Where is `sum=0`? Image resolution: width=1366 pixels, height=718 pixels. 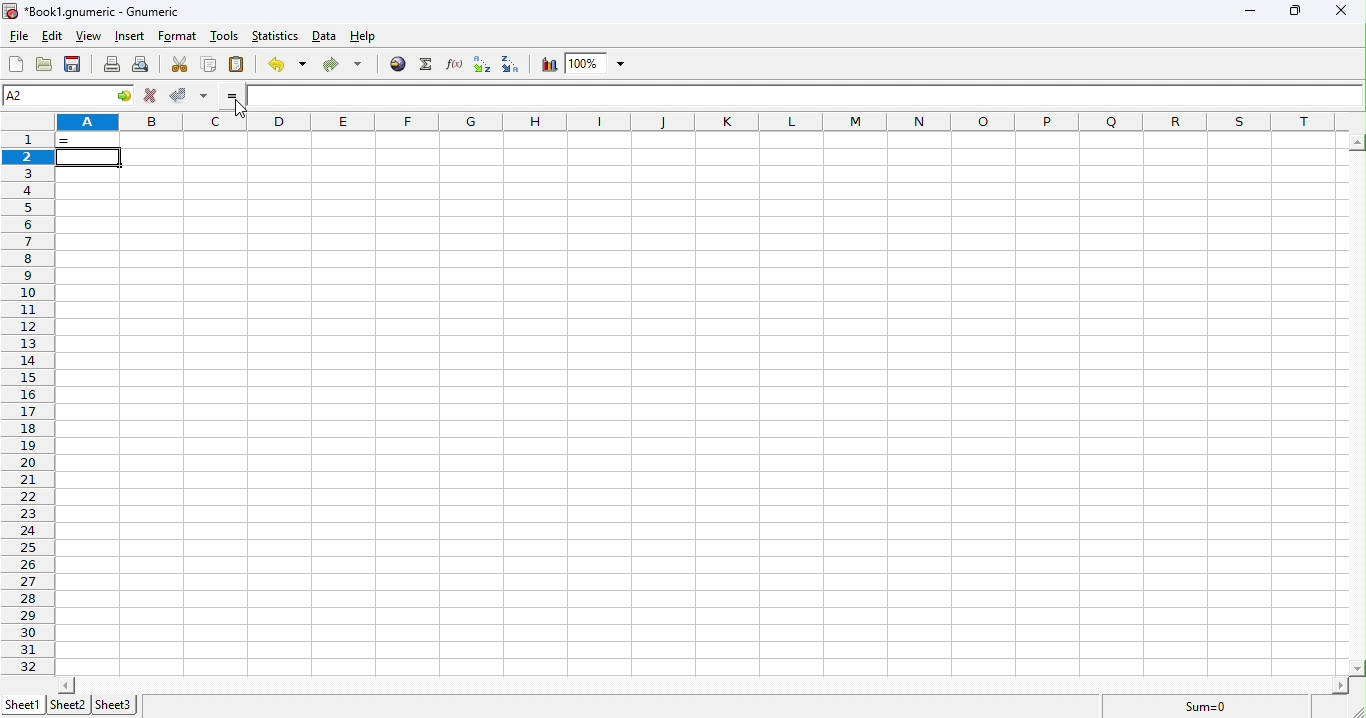 sum=0 is located at coordinates (1206, 708).